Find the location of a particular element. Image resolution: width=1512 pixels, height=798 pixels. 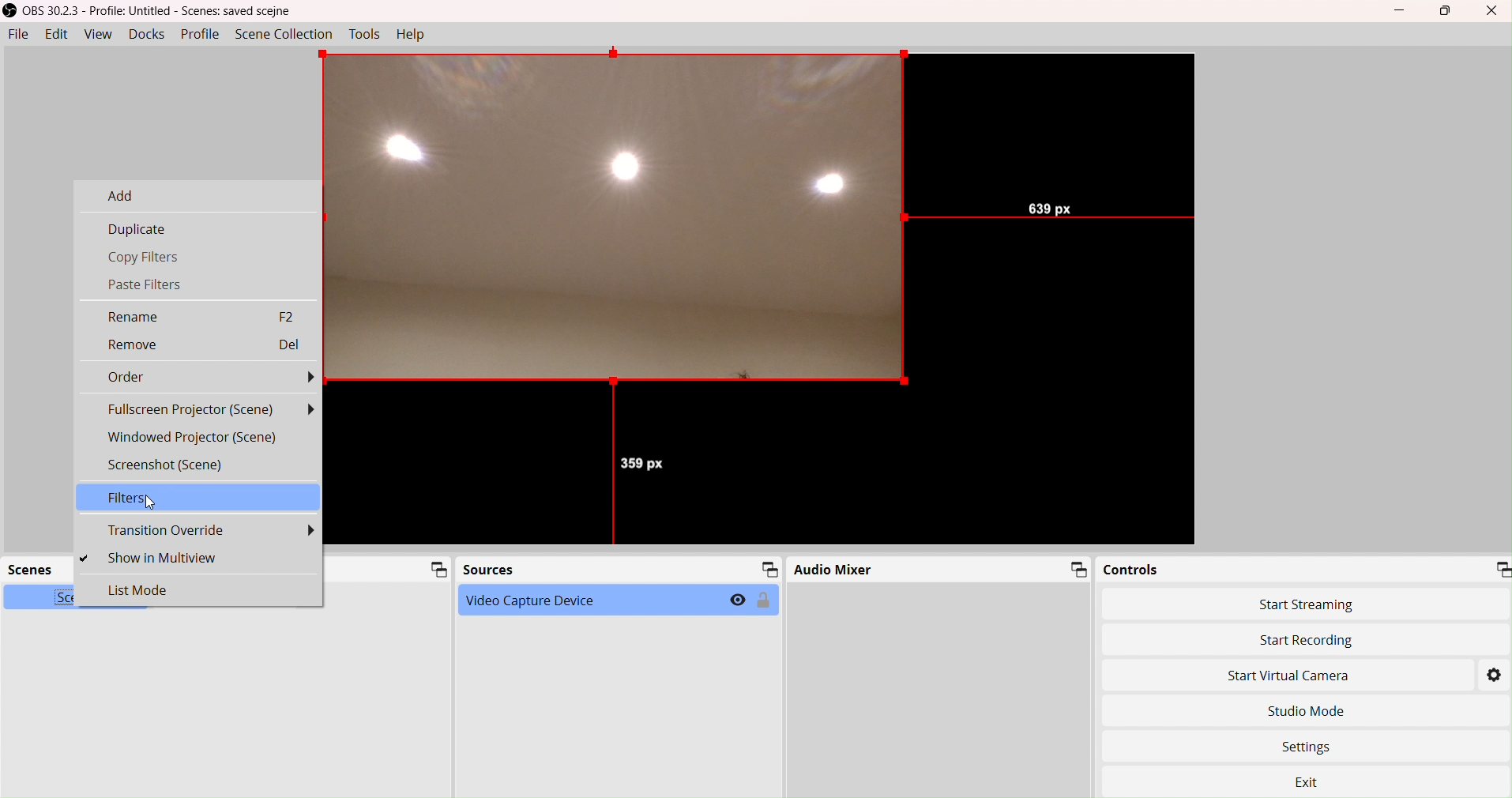

Order is located at coordinates (209, 375).